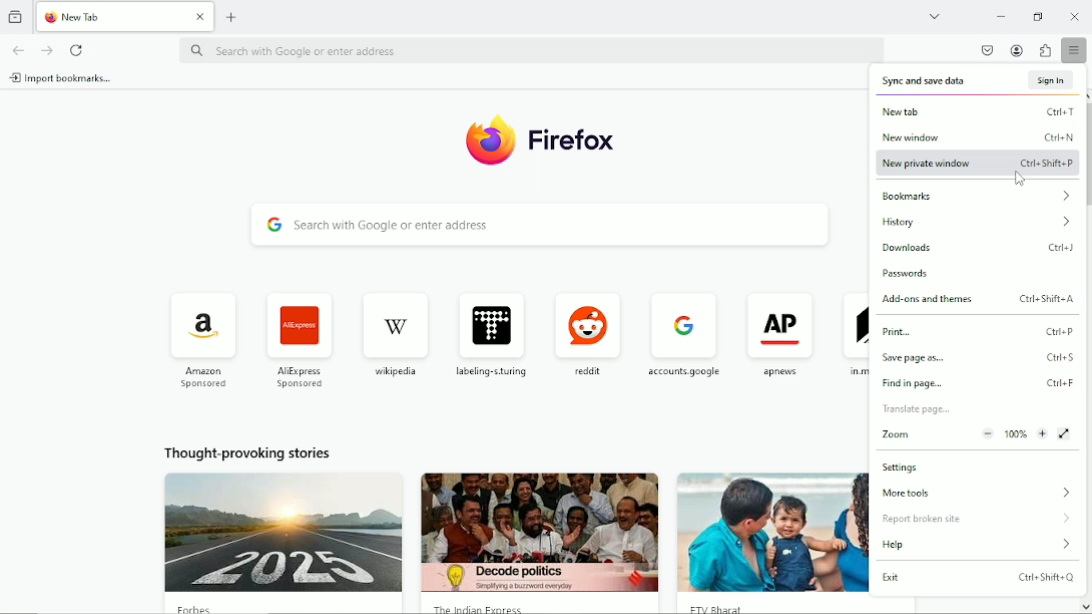 The image size is (1092, 614). What do you see at coordinates (978, 112) in the screenshot?
I see `new tab` at bounding box center [978, 112].